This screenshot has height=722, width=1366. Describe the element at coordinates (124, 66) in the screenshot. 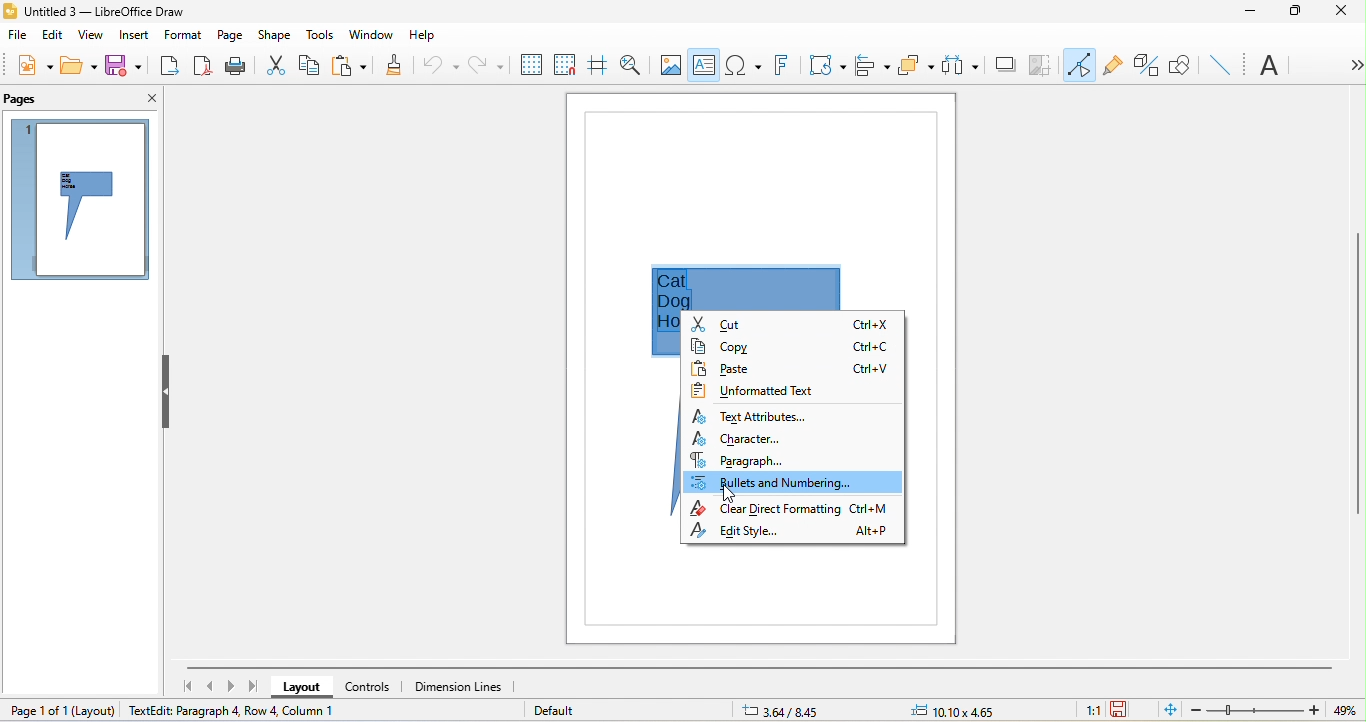

I see `save` at that location.